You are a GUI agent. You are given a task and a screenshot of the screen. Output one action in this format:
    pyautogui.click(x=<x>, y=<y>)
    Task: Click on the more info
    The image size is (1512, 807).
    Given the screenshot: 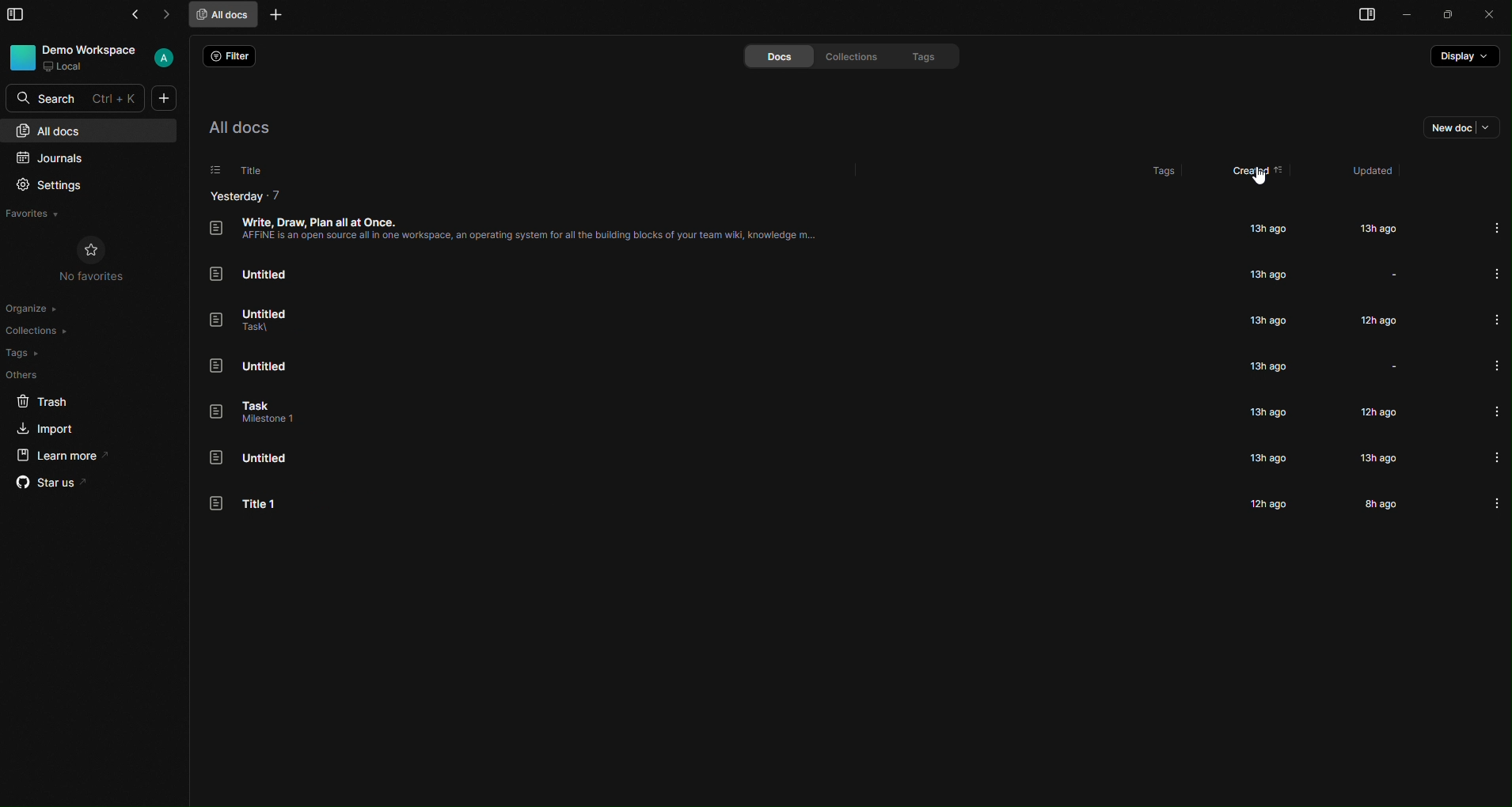 What is the action you would take?
    pyautogui.click(x=1495, y=501)
    